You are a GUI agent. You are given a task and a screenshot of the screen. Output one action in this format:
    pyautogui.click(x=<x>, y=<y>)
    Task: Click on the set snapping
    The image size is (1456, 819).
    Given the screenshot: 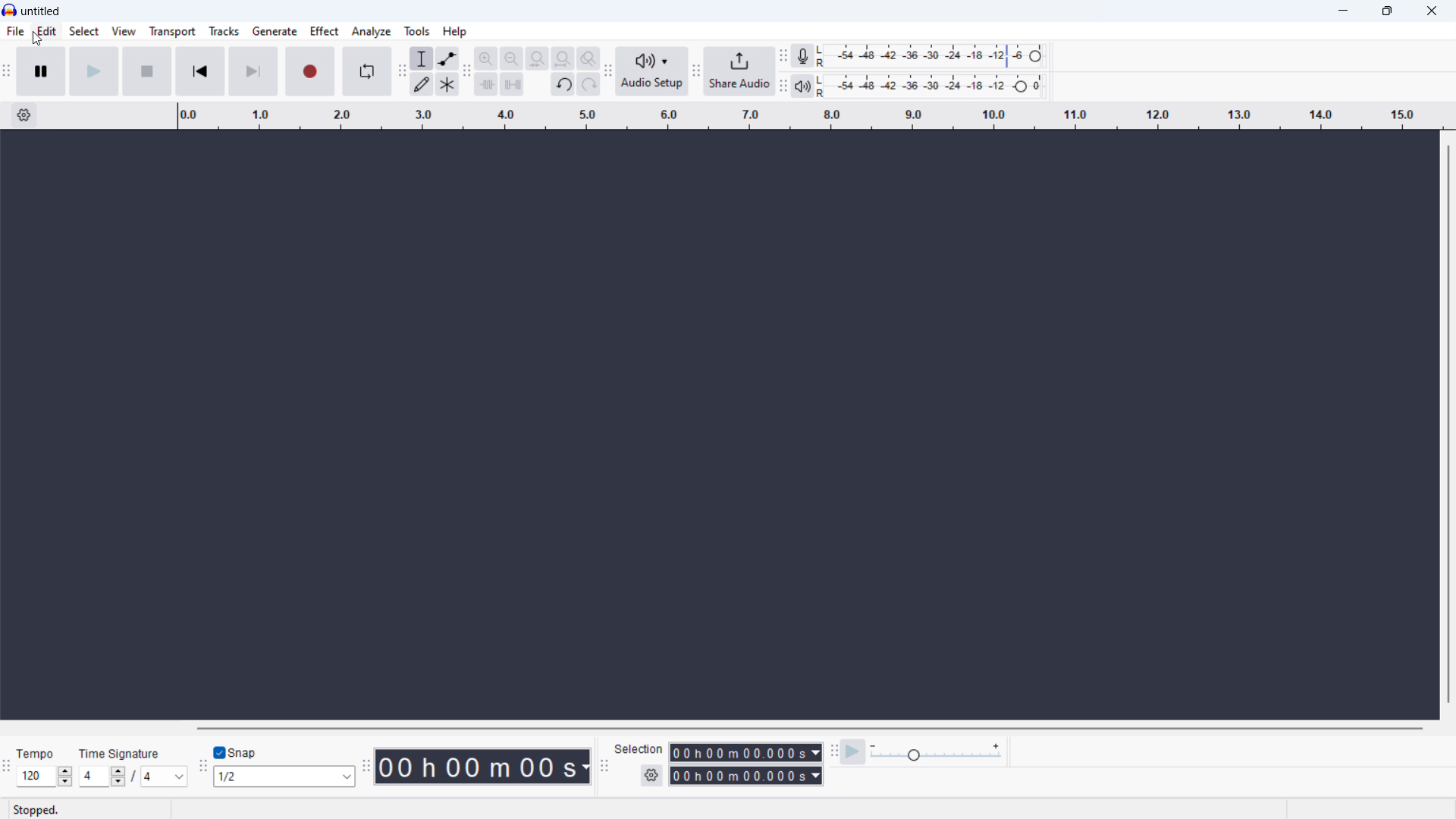 What is the action you would take?
    pyautogui.click(x=284, y=776)
    